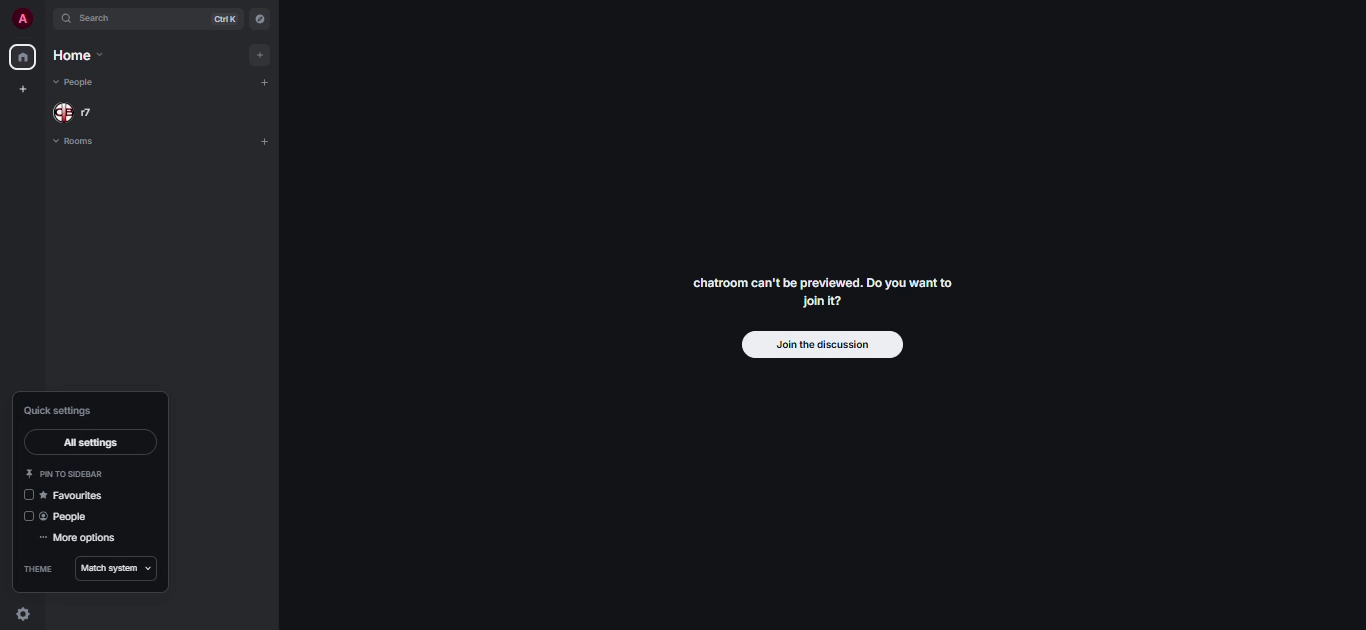 The width and height of the screenshot is (1366, 630). What do you see at coordinates (260, 53) in the screenshot?
I see `add` at bounding box center [260, 53].